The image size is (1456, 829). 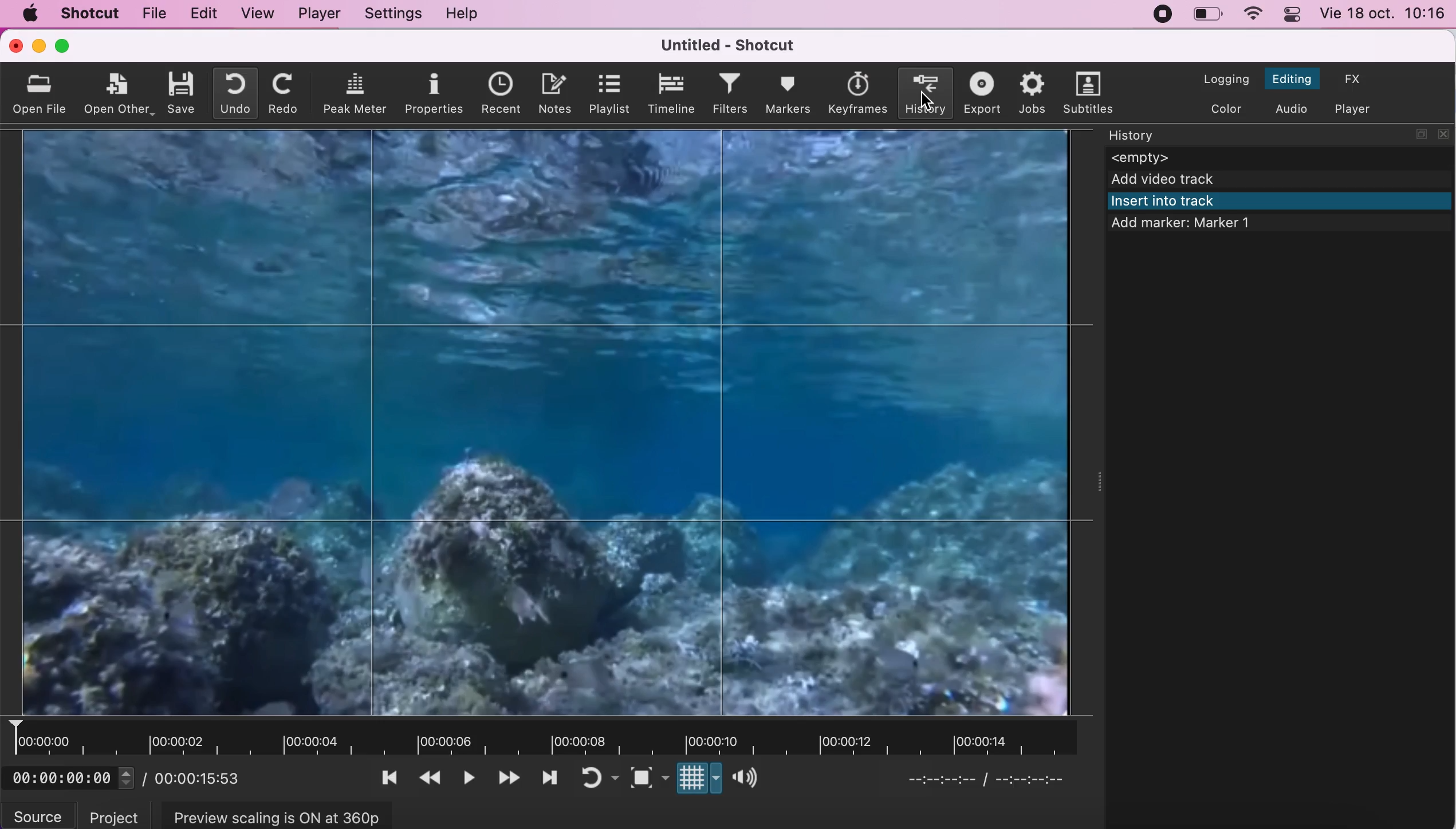 What do you see at coordinates (669, 93) in the screenshot?
I see `timeline` at bounding box center [669, 93].